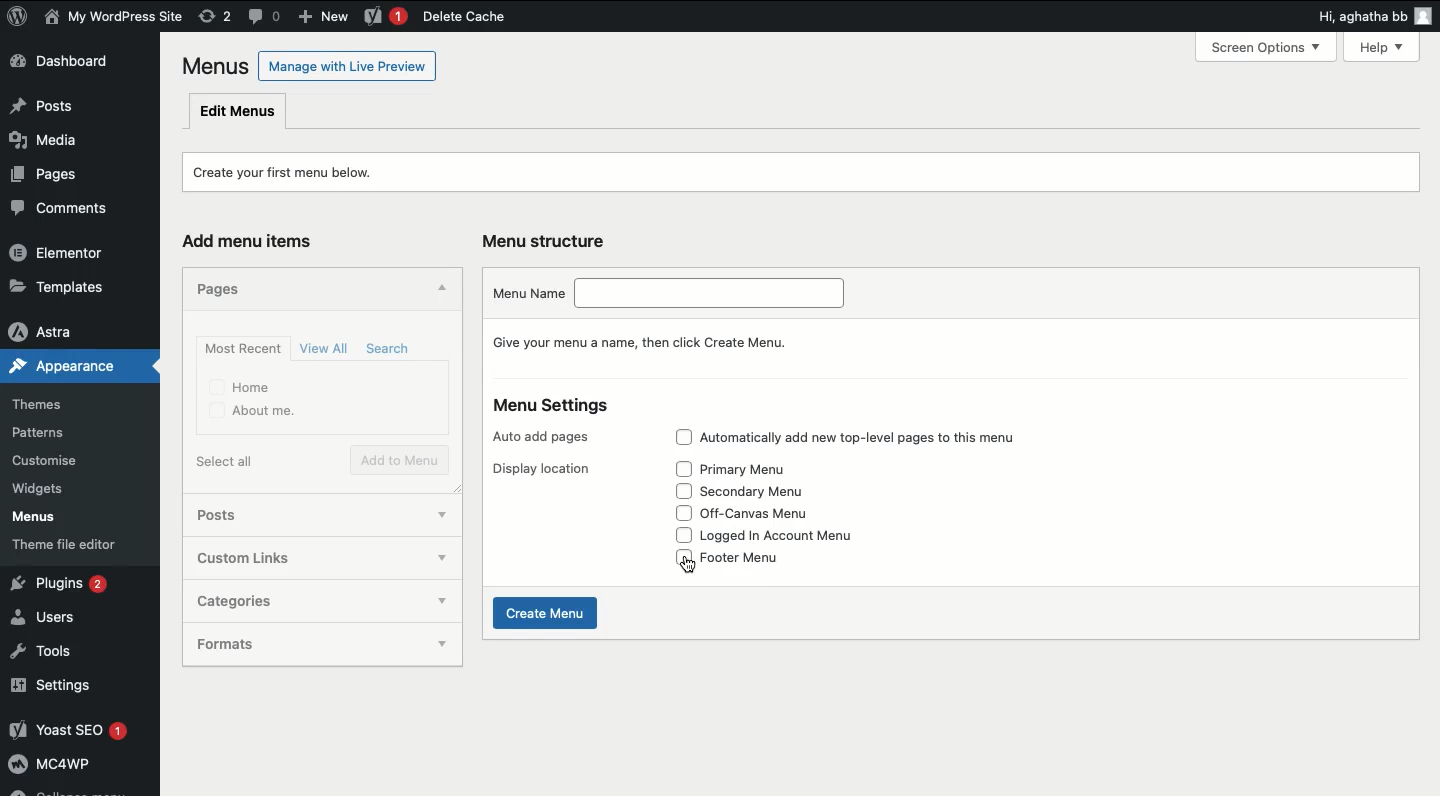 The height and width of the screenshot is (796, 1440). What do you see at coordinates (242, 349) in the screenshot?
I see `Most recent` at bounding box center [242, 349].